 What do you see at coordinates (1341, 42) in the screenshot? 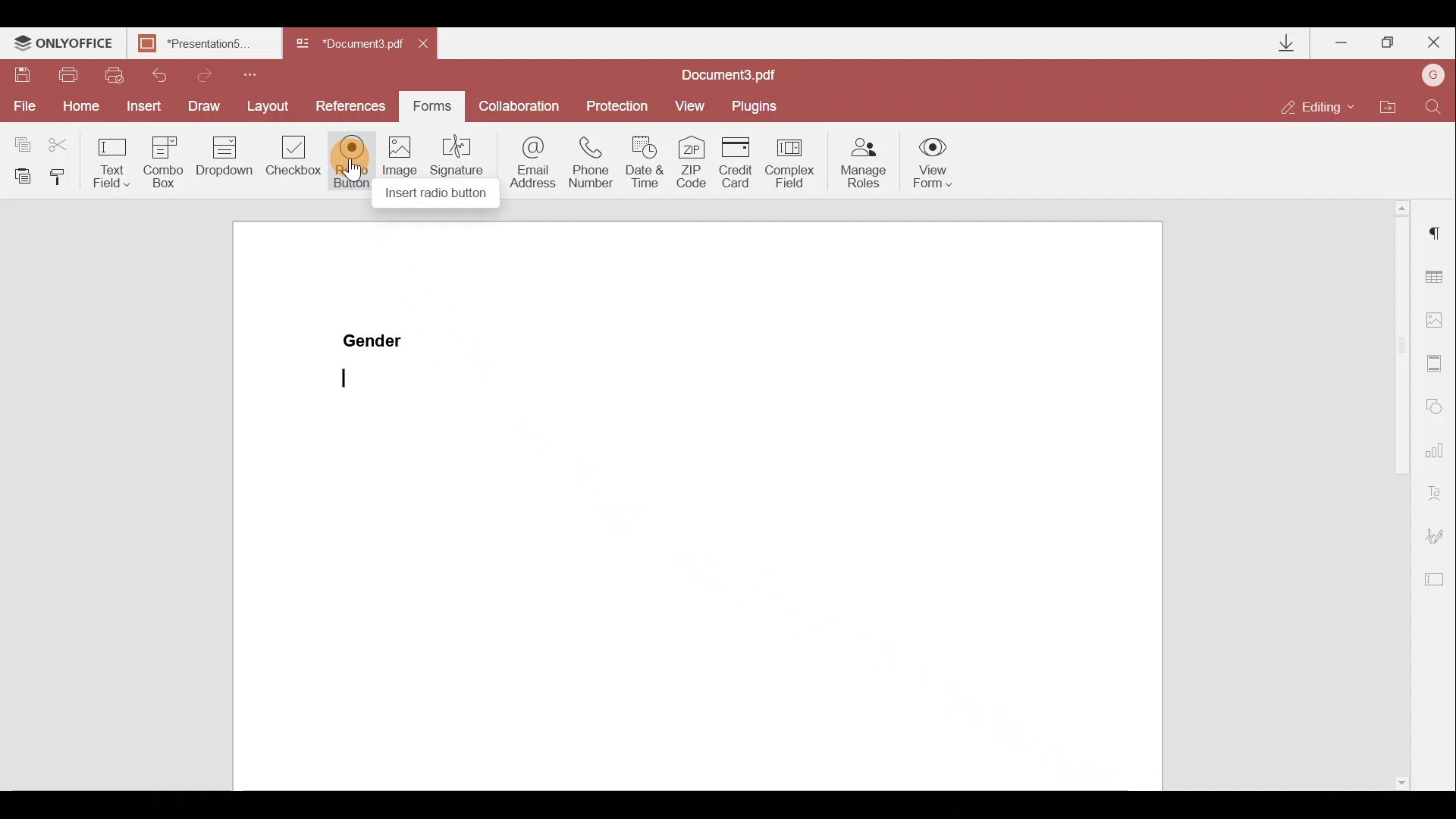
I see `Minimize` at bounding box center [1341, 42].